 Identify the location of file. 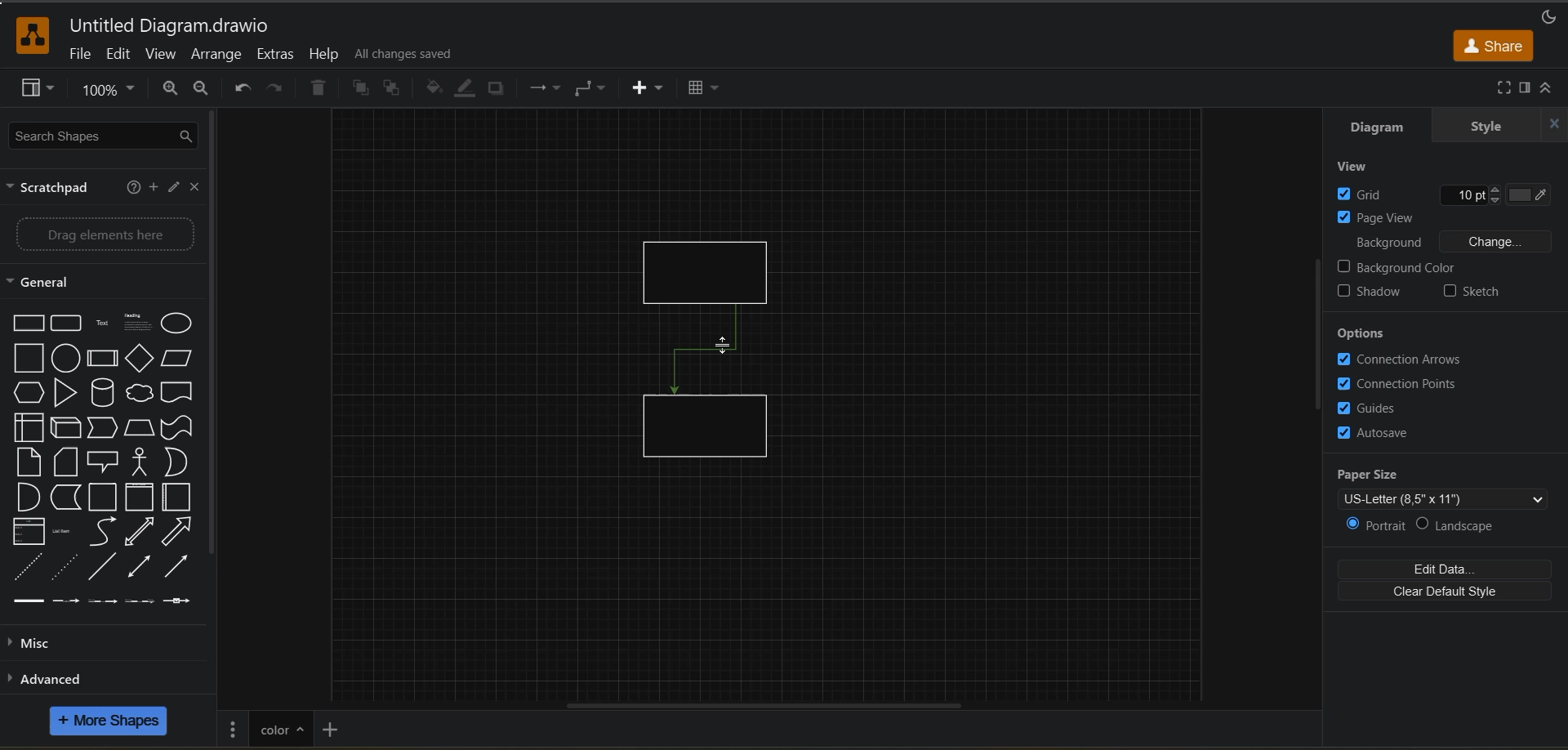
(81, 56).